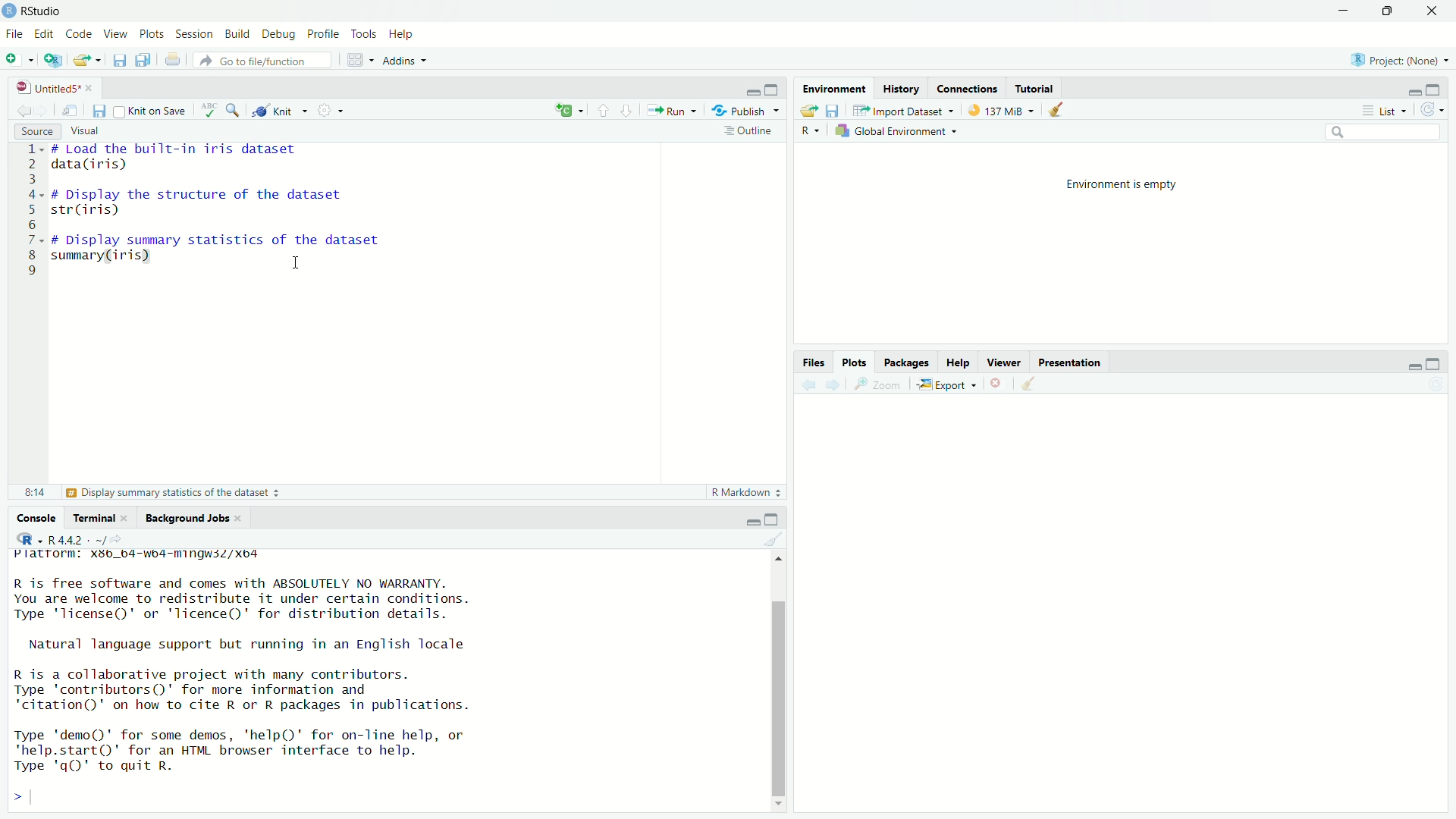 This screenshot has height=819, width=1456. Describe the element at coordinates (45, 34) in the screenshot. I see `Edit` at that location.